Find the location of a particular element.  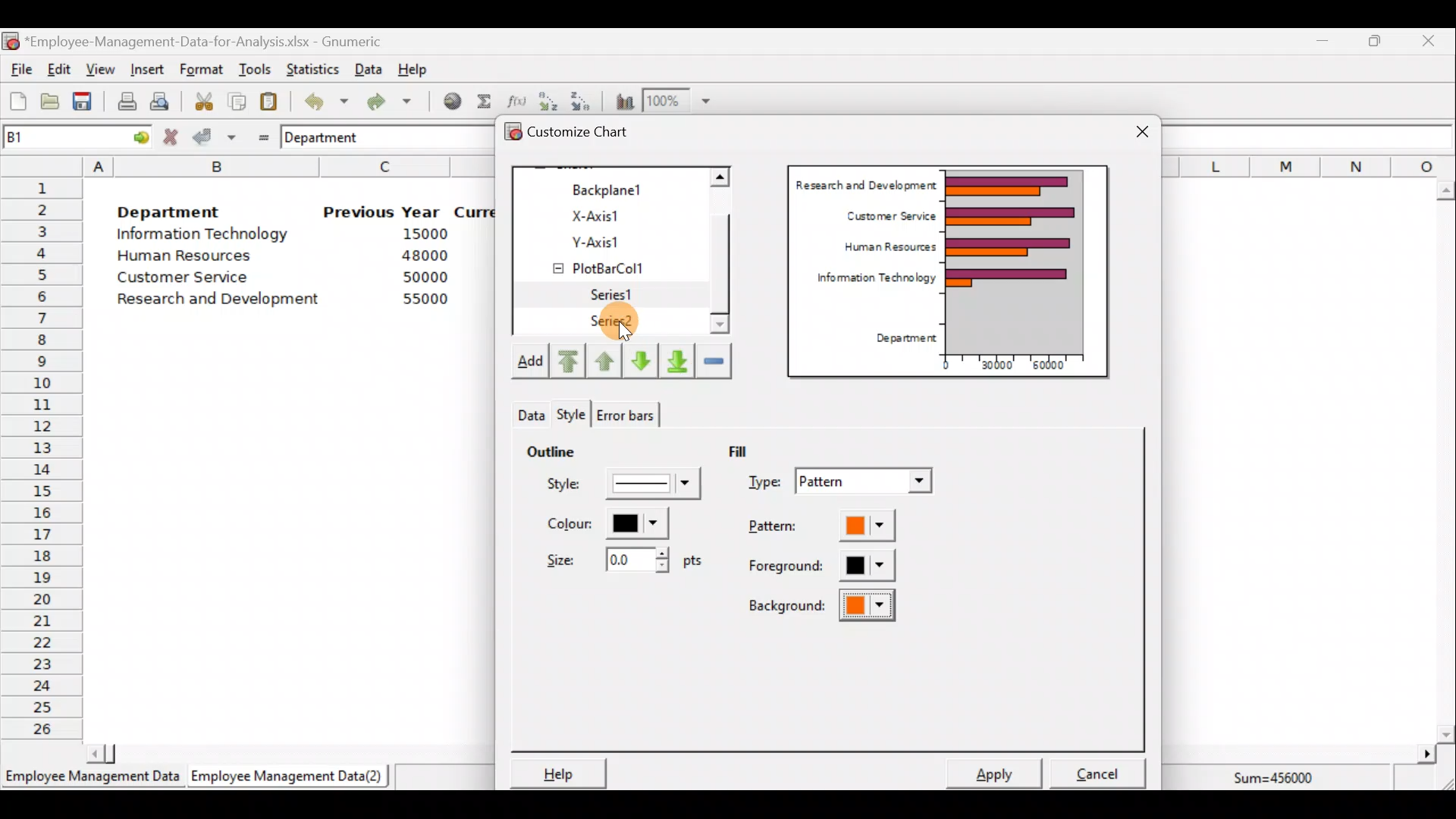

Department is located at coordinates (331, 136).